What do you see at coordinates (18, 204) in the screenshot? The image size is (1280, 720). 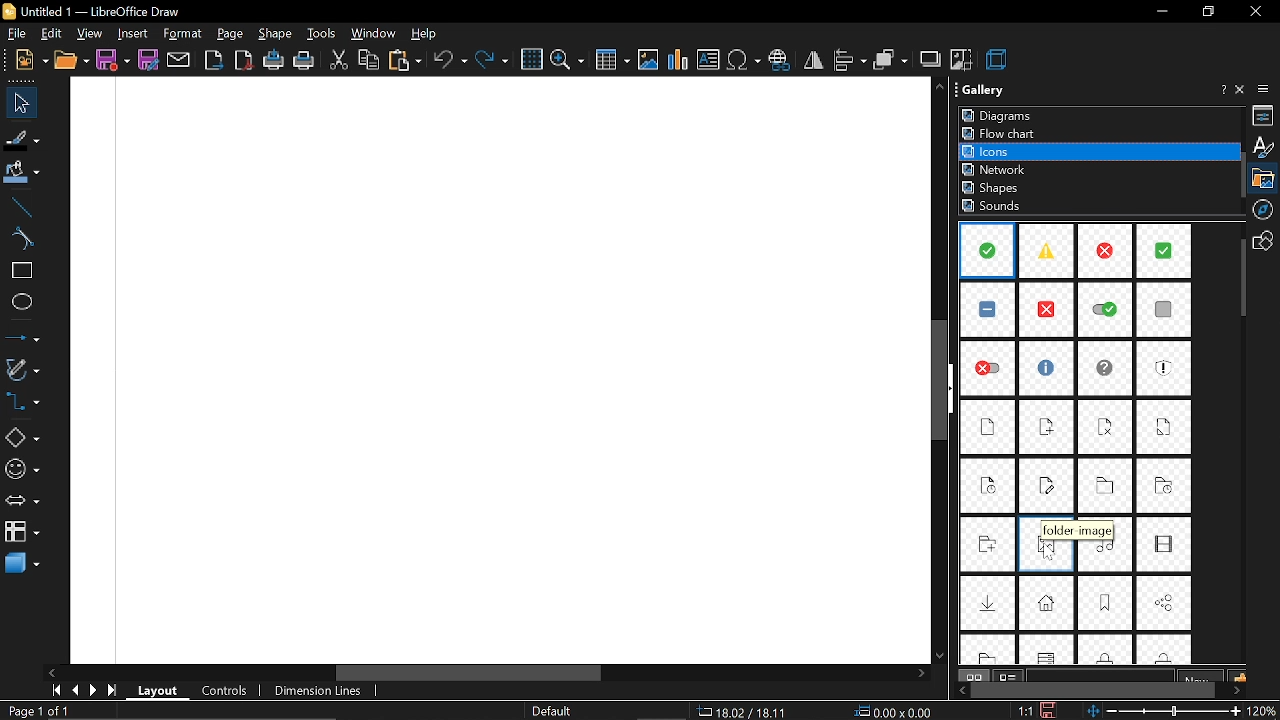 I see `line` at bounding box center [18, 204].